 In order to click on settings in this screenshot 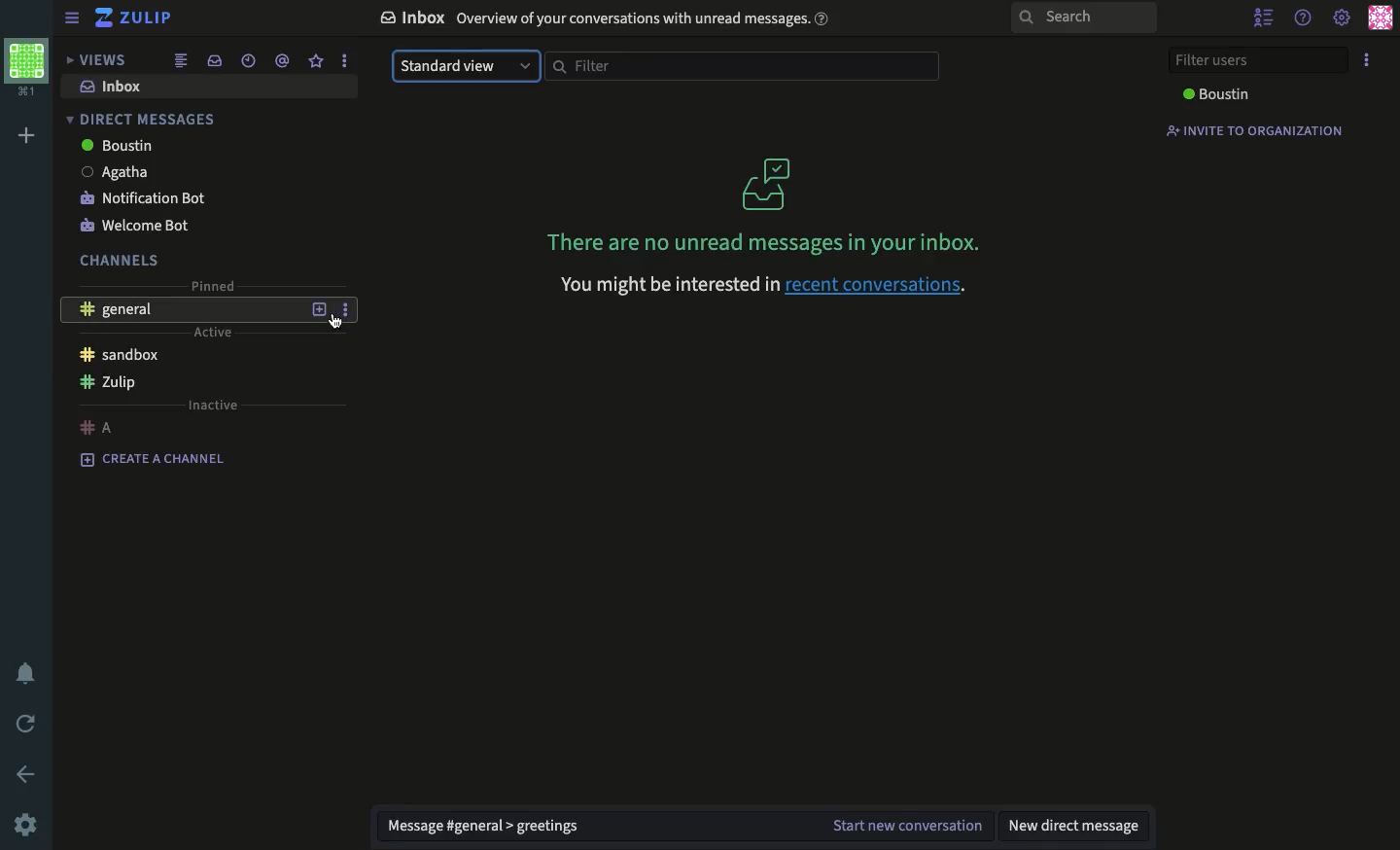, I will do `click(25, 826)`.